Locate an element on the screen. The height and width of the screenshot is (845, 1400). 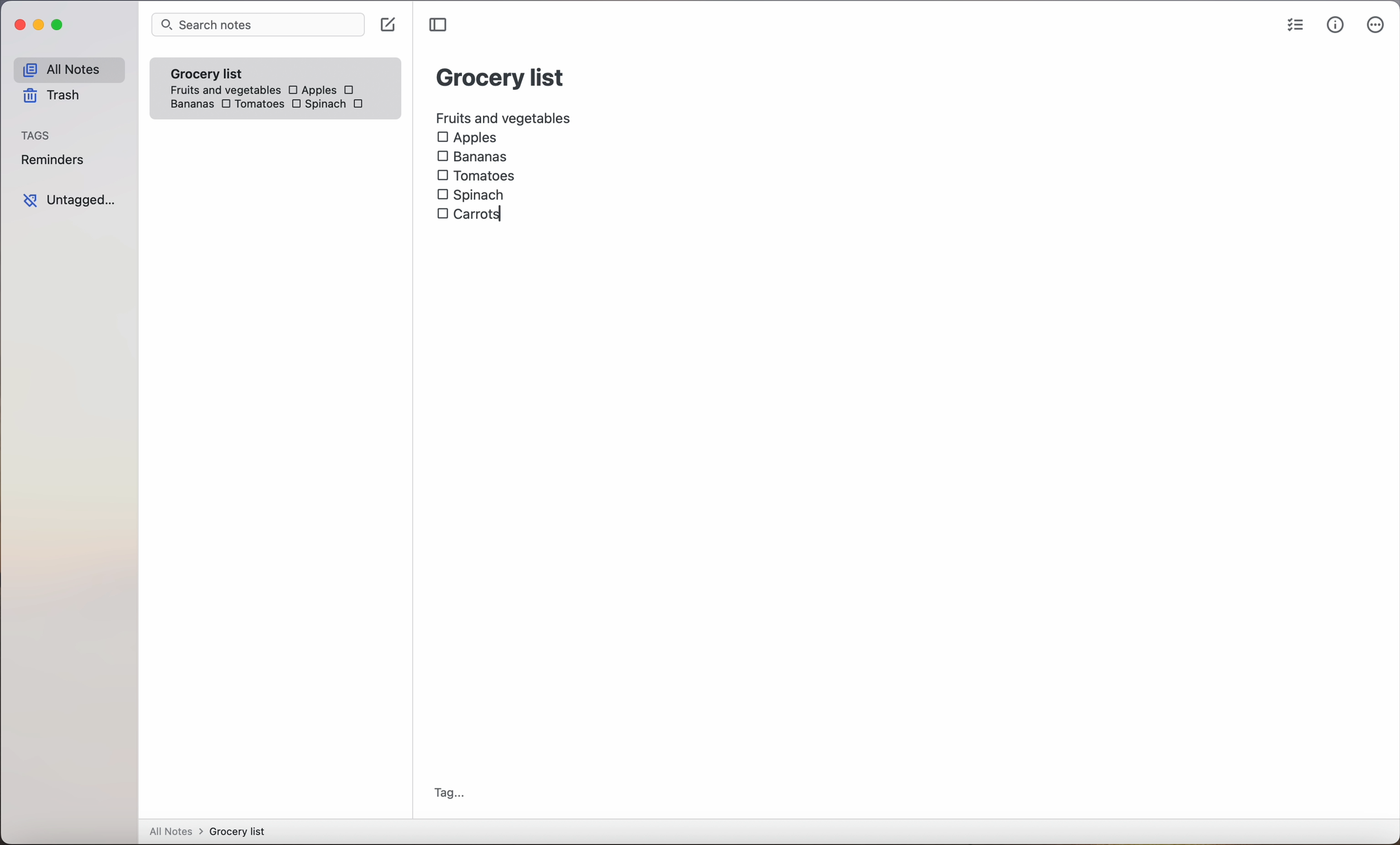
grocery list note fruits and vegetables is located at coordinates (221, 77).